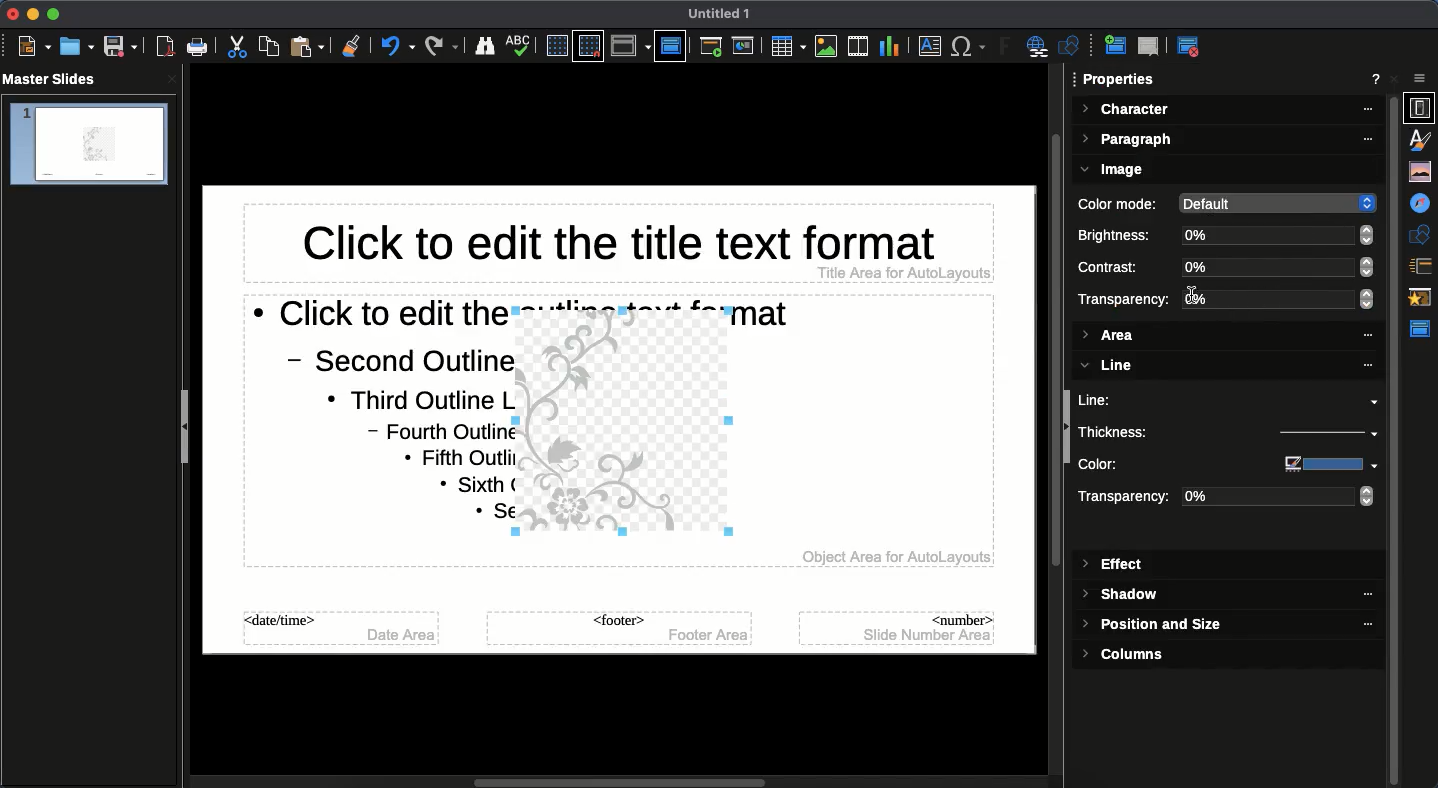 The height and width of the screenshot is (788, 1438). Describe the element at coordinates (856, 47) in the screenshot. I see `Video audio` at that location.